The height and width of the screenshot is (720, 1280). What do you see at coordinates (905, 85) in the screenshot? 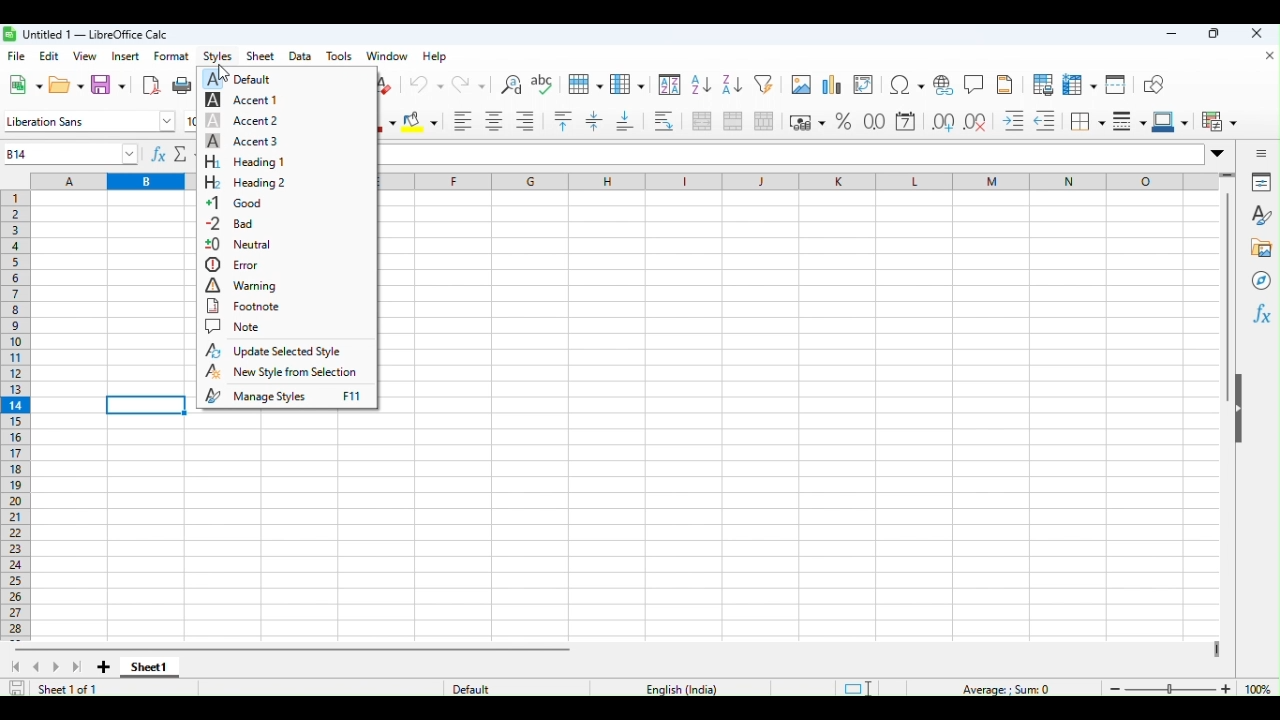
I see `Insert symbol` at bounding box center [905, 85].